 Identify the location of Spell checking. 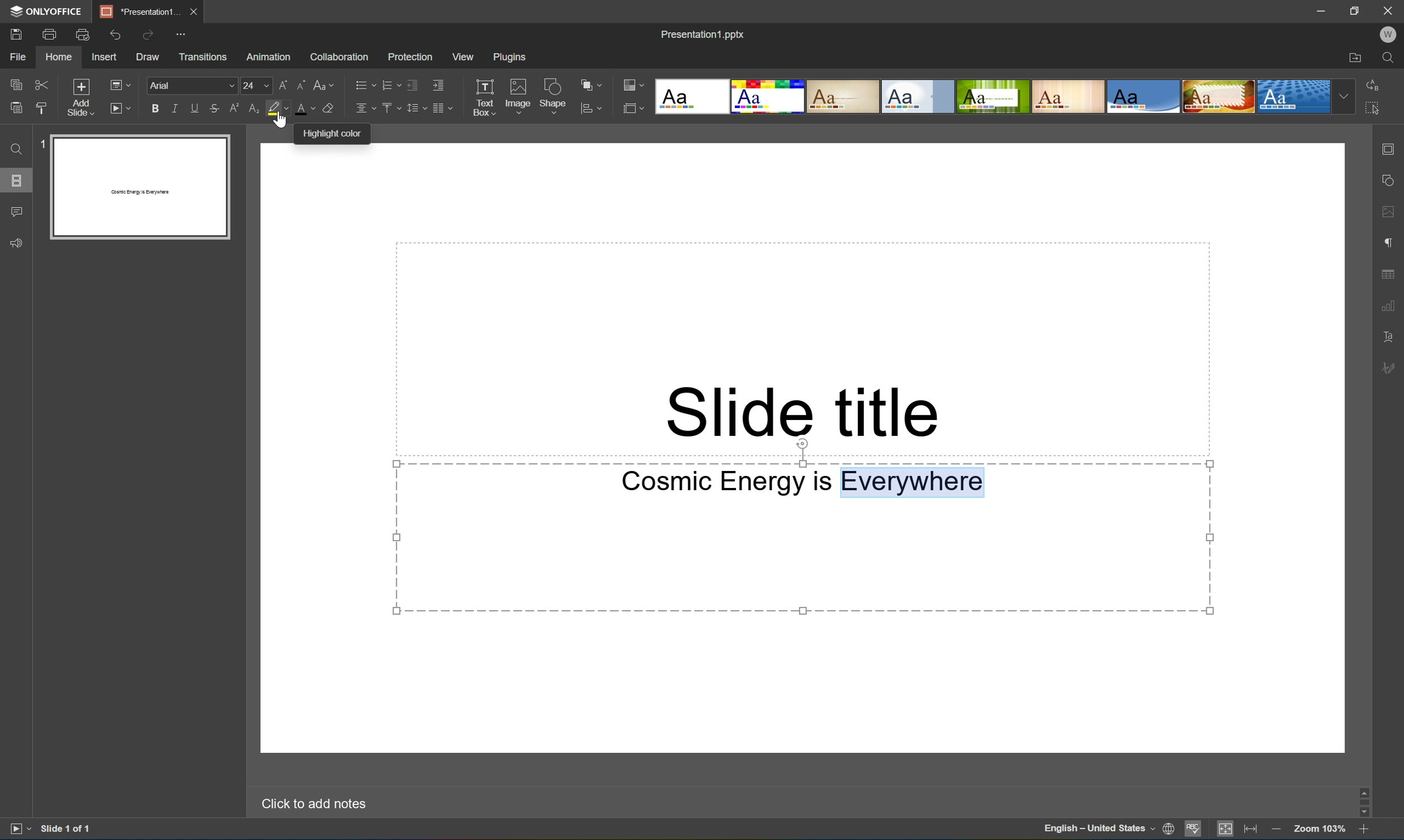
(1195, 831).